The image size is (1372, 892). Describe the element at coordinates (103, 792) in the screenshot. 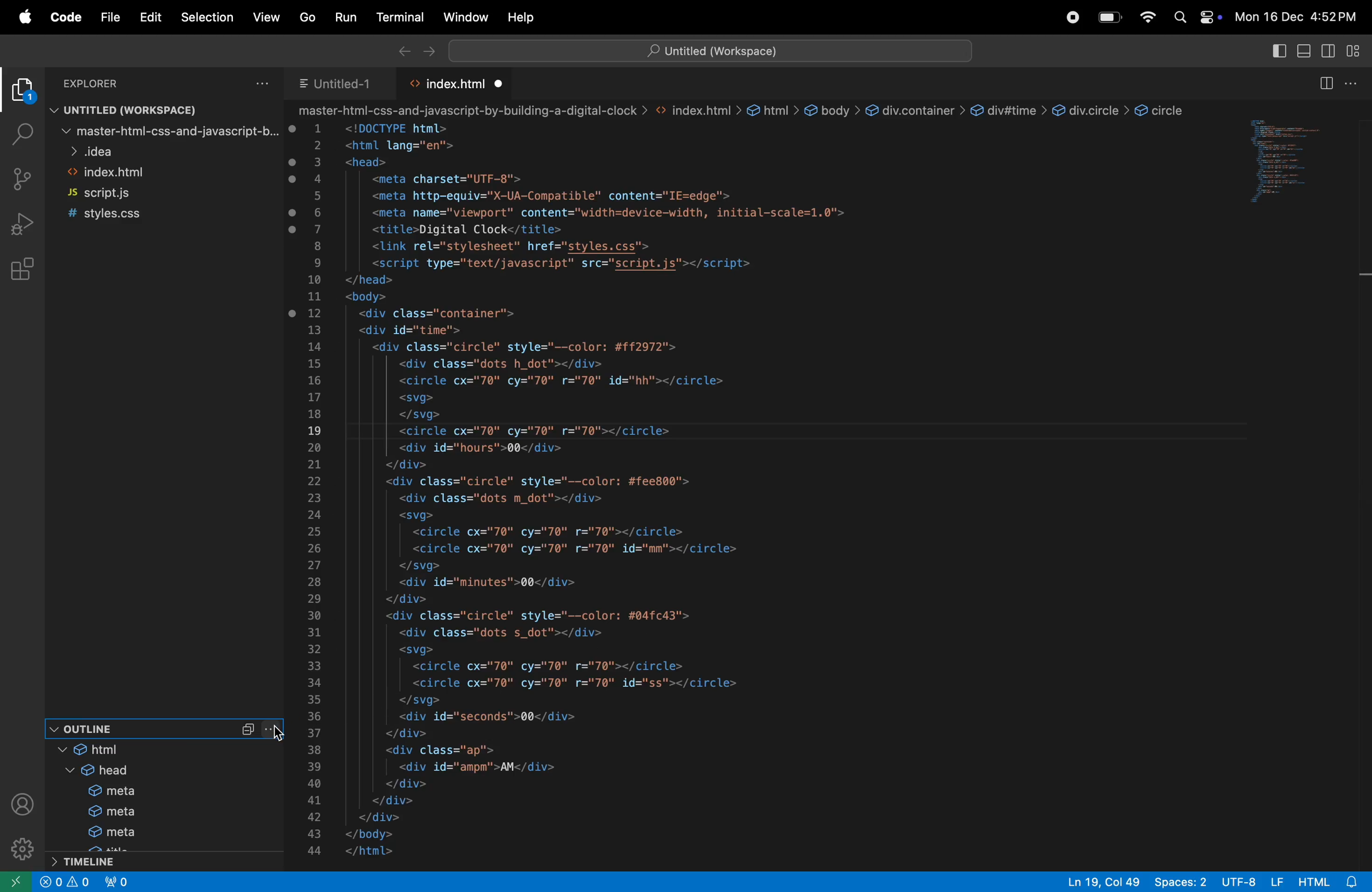

I see `meta` at that location.